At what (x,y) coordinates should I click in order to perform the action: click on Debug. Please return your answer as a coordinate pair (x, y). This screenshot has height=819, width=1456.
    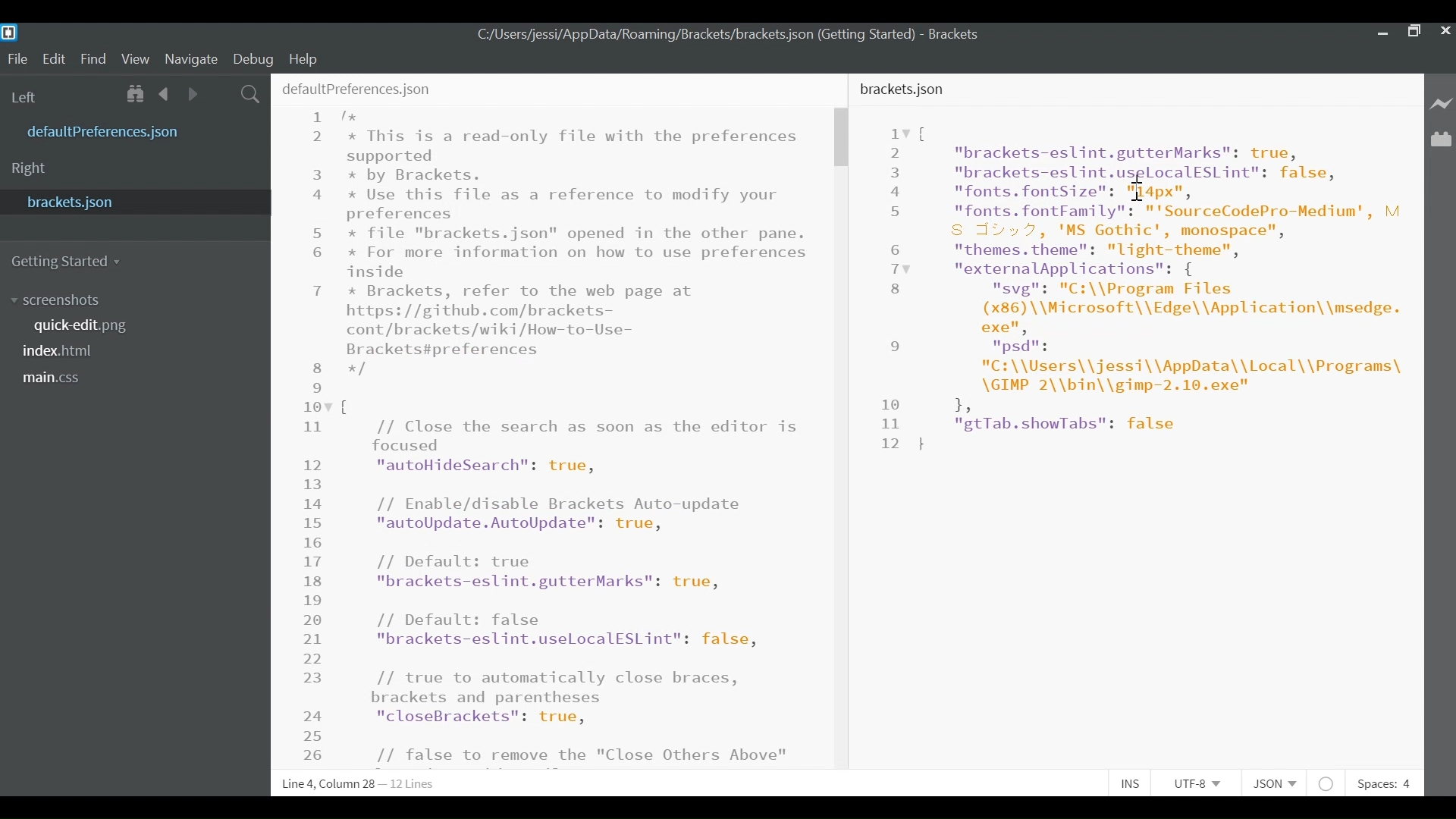
    Looking at the image, I should click on (252, 59).